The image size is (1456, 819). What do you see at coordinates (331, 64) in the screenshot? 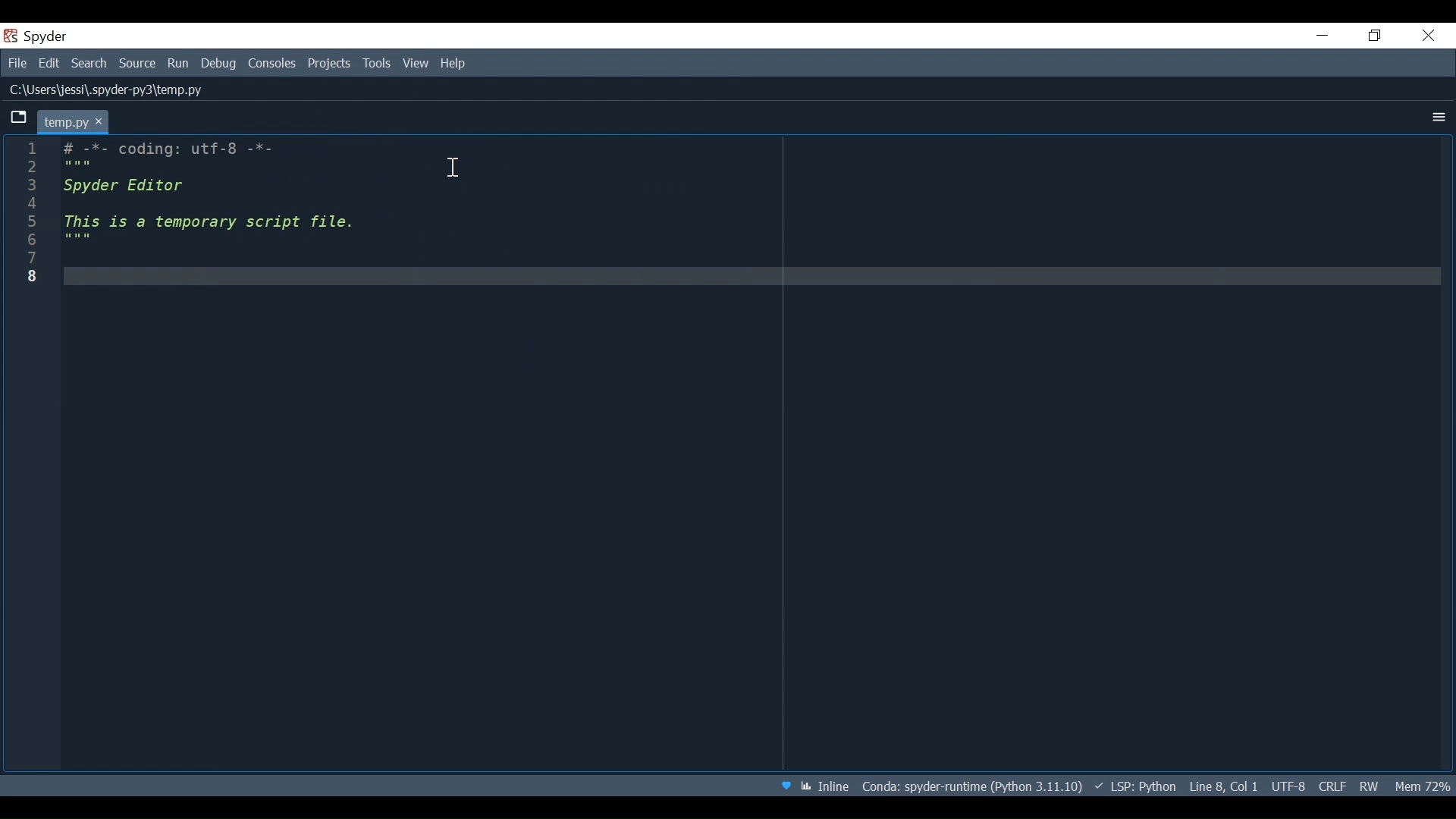
I see `Projects` at bounding box center [331, 64].